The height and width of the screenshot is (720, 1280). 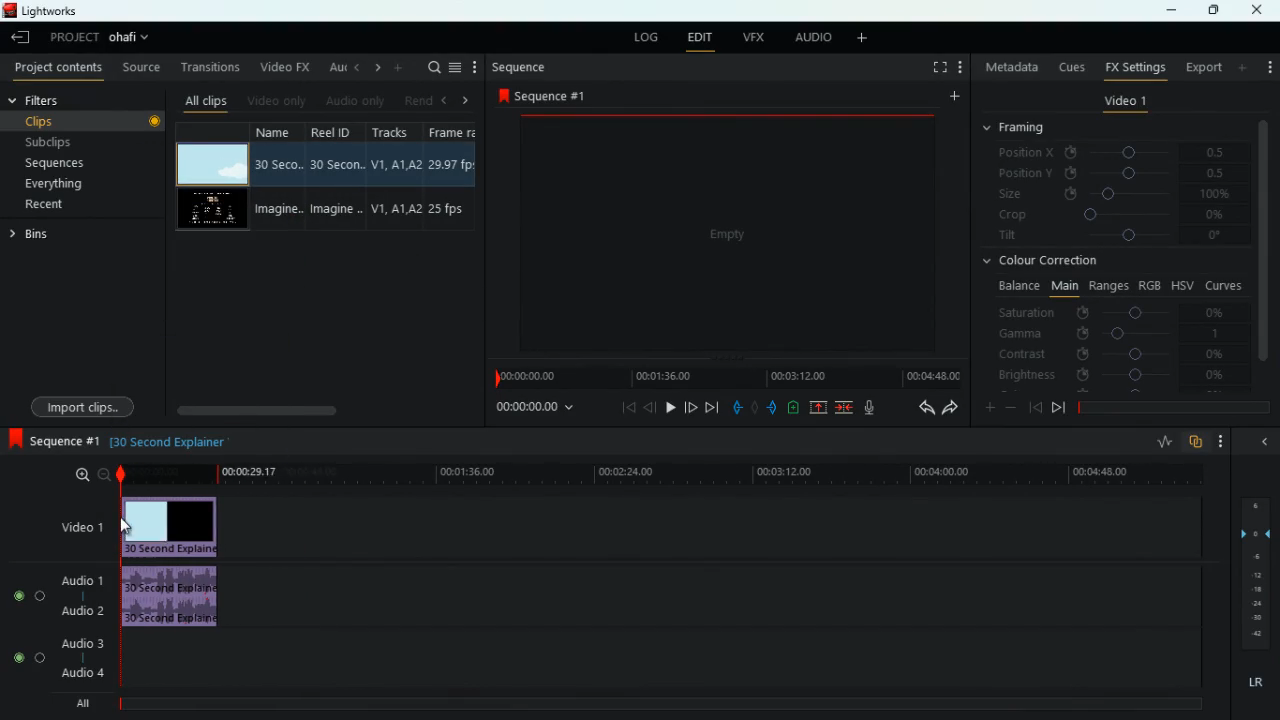 I want to click on zoom, so click(x=87, y=476).